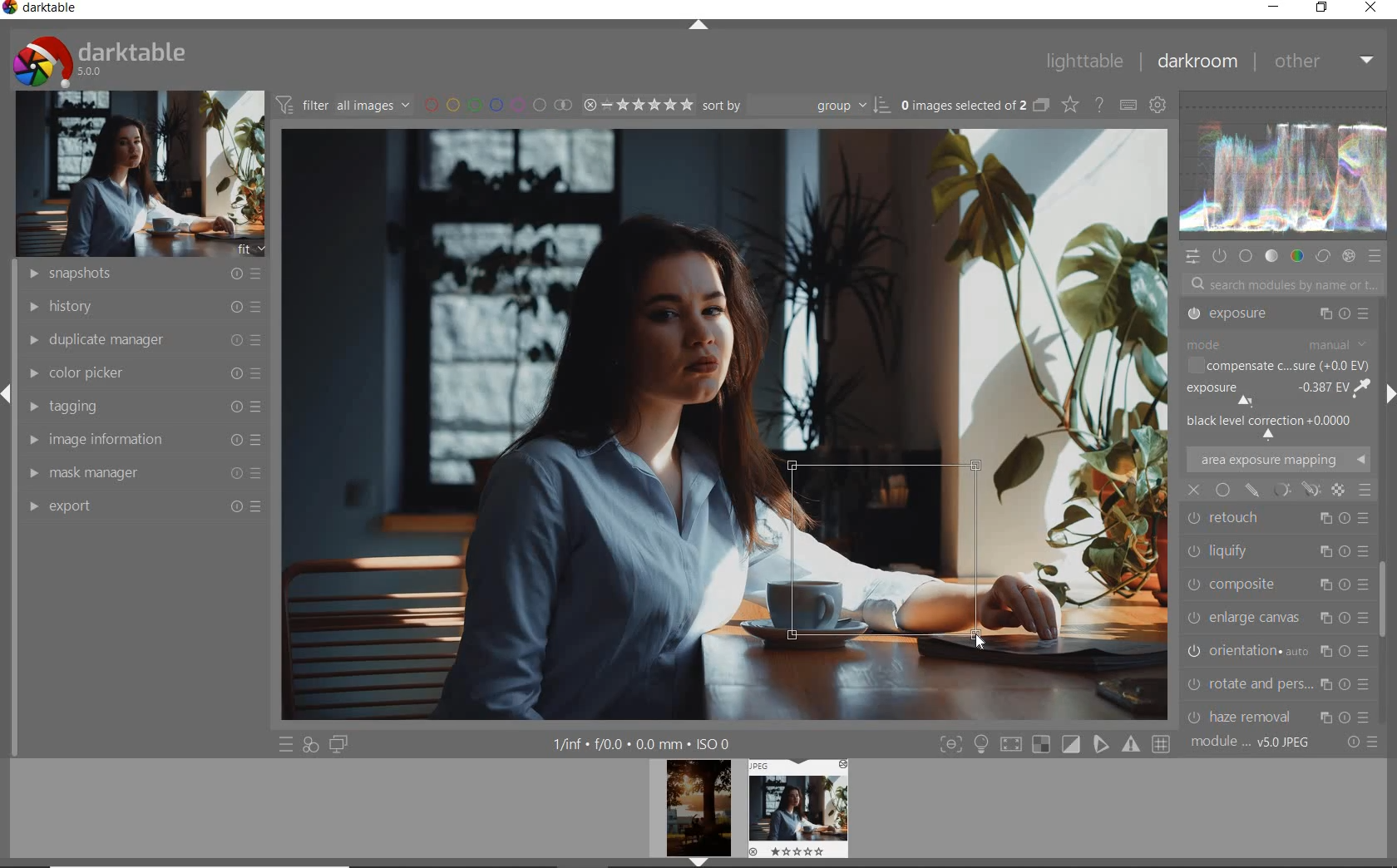  Describe the element at coordinates (980, 643) in the screenshot. I see `Cursor` at that location.